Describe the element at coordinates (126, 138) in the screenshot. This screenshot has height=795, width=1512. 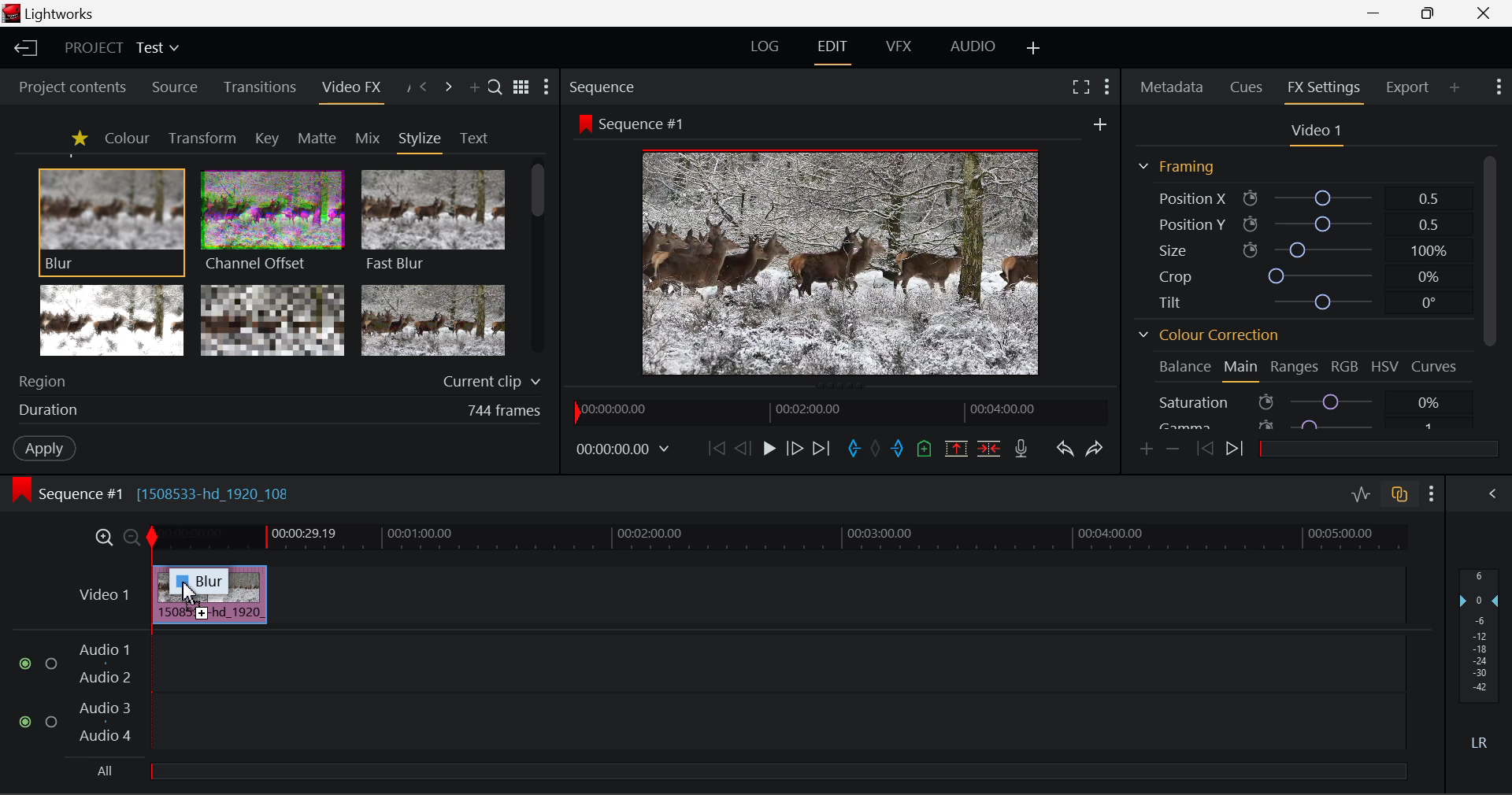
I see `Colour` at that location.